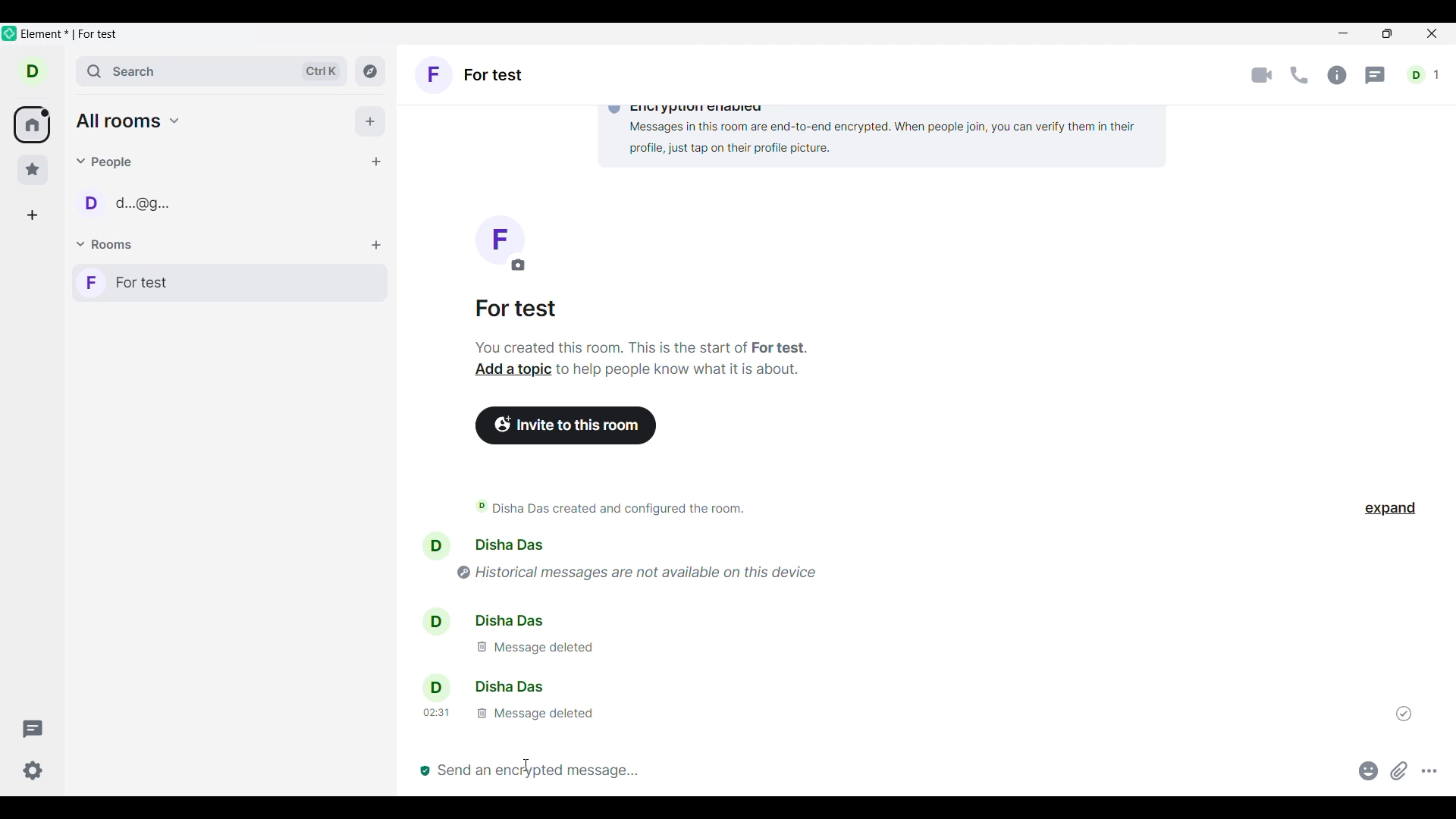  Describe the element at coordinates (376, 246) in the screenshot. I see `Add room` at that location.